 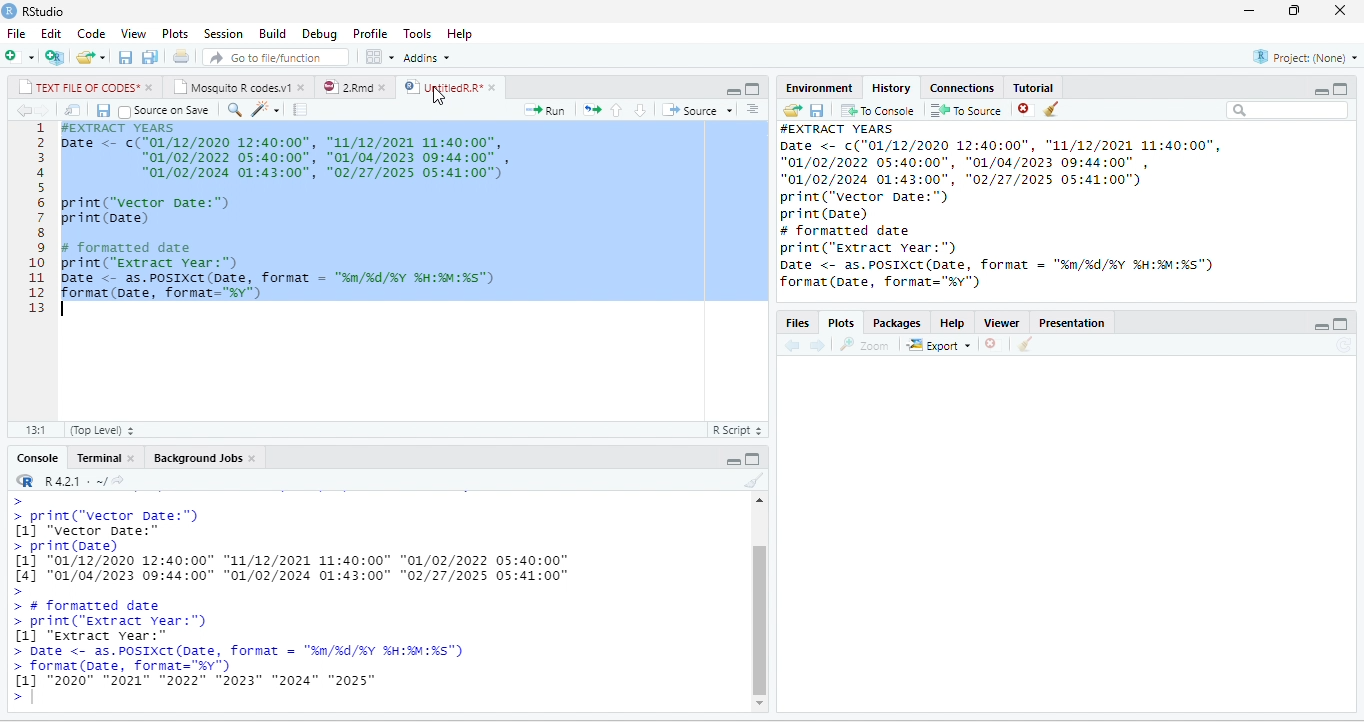 What do you see at coordinates (1025, 343) in the screenshot?
I see `clear` at bounding box center [1025, 343].